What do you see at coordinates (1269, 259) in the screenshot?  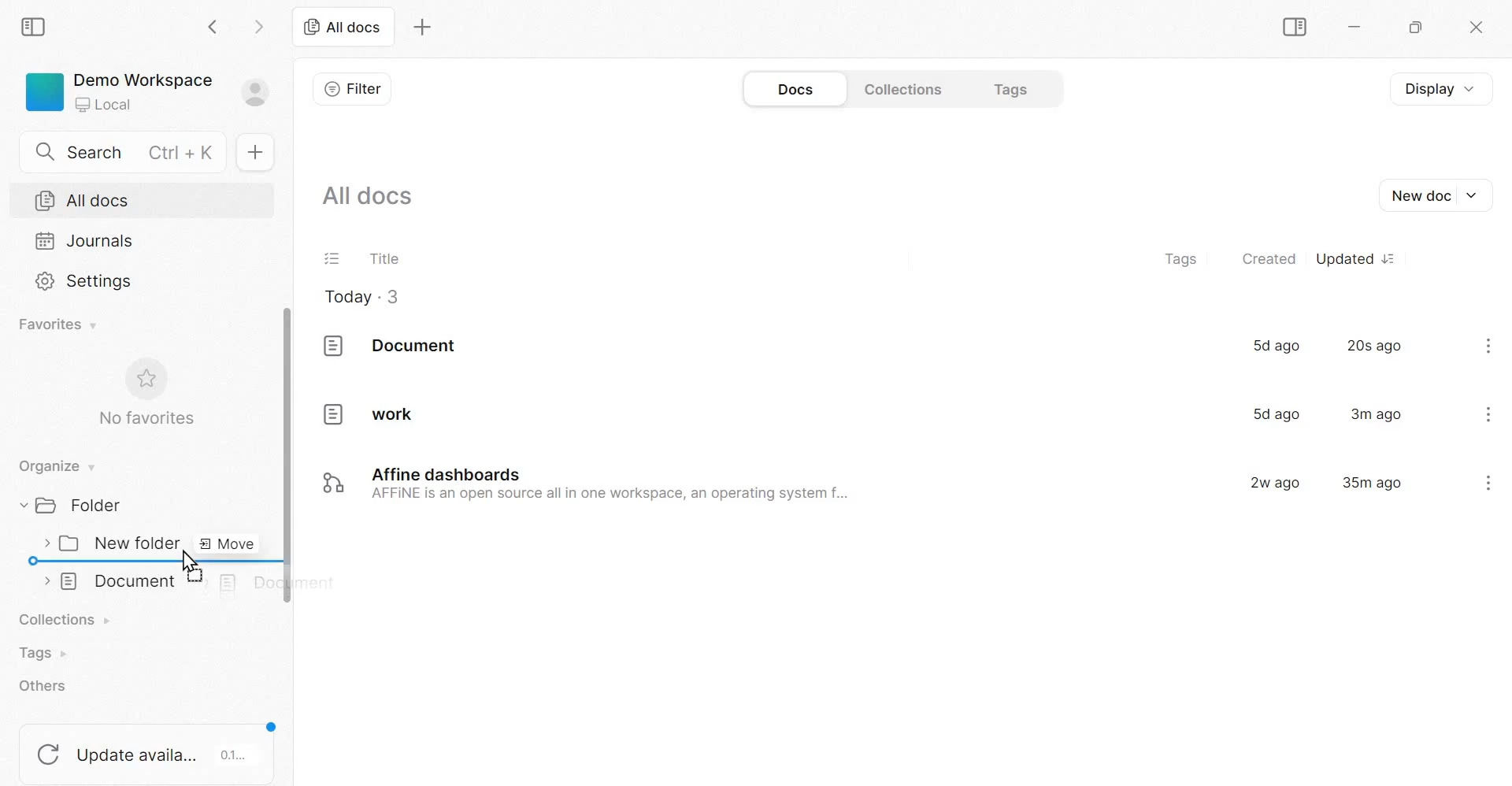 I see `created` at bounding box center [1269, 259].